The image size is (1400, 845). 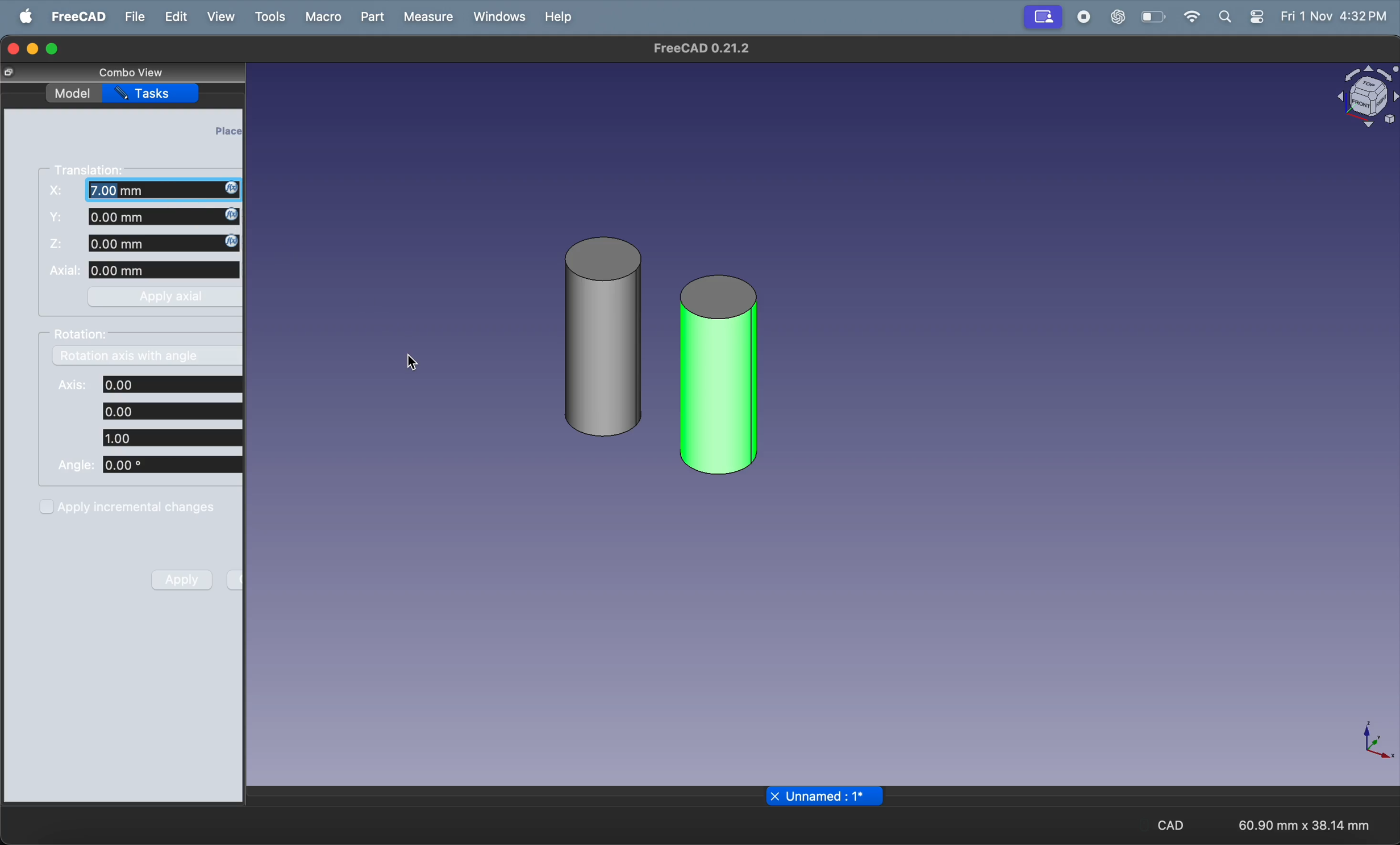 I want to click on angle coordinates, so click(x=170, y=465).